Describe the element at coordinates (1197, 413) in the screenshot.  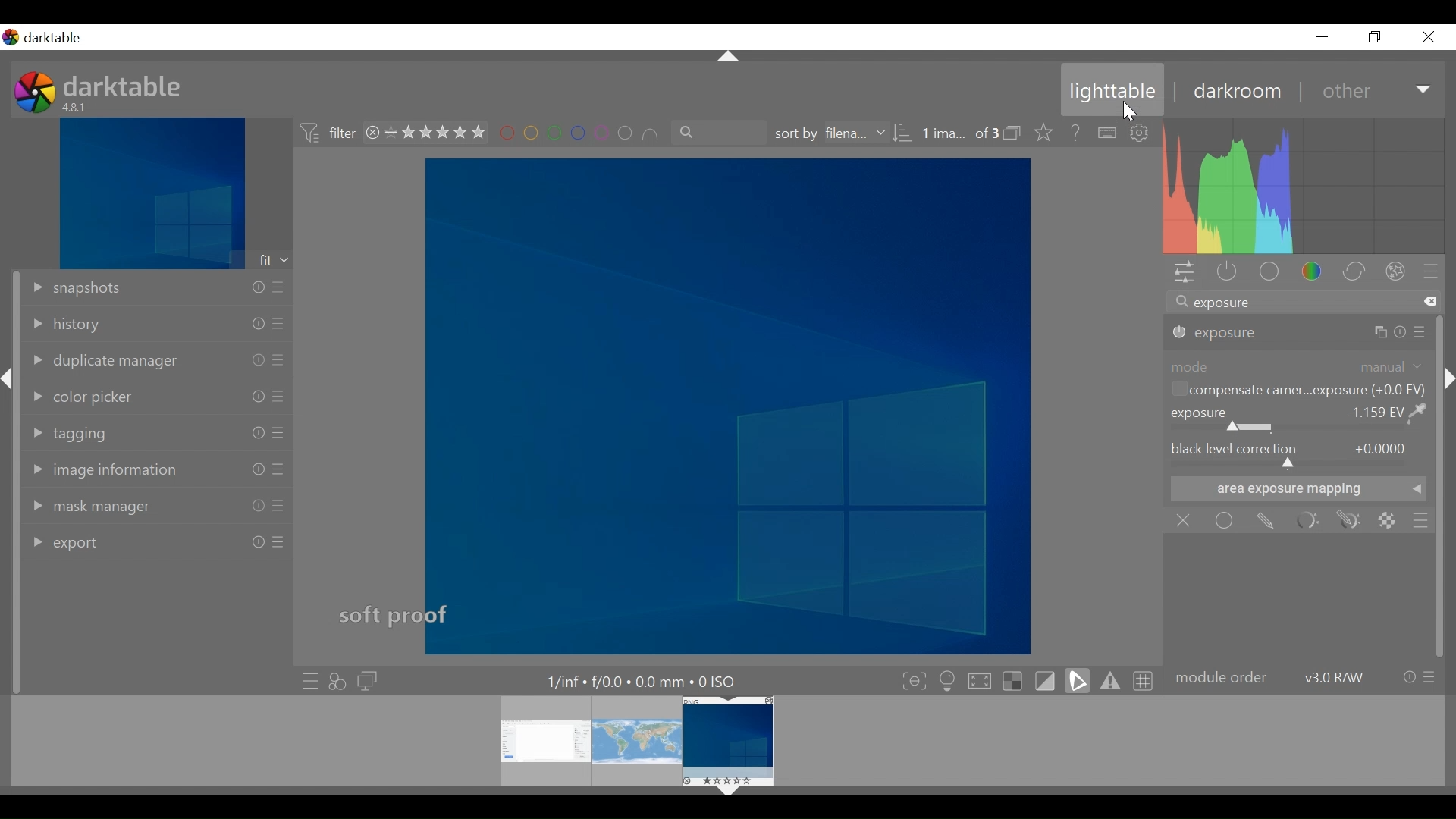
I see `exposure correction` at that location.